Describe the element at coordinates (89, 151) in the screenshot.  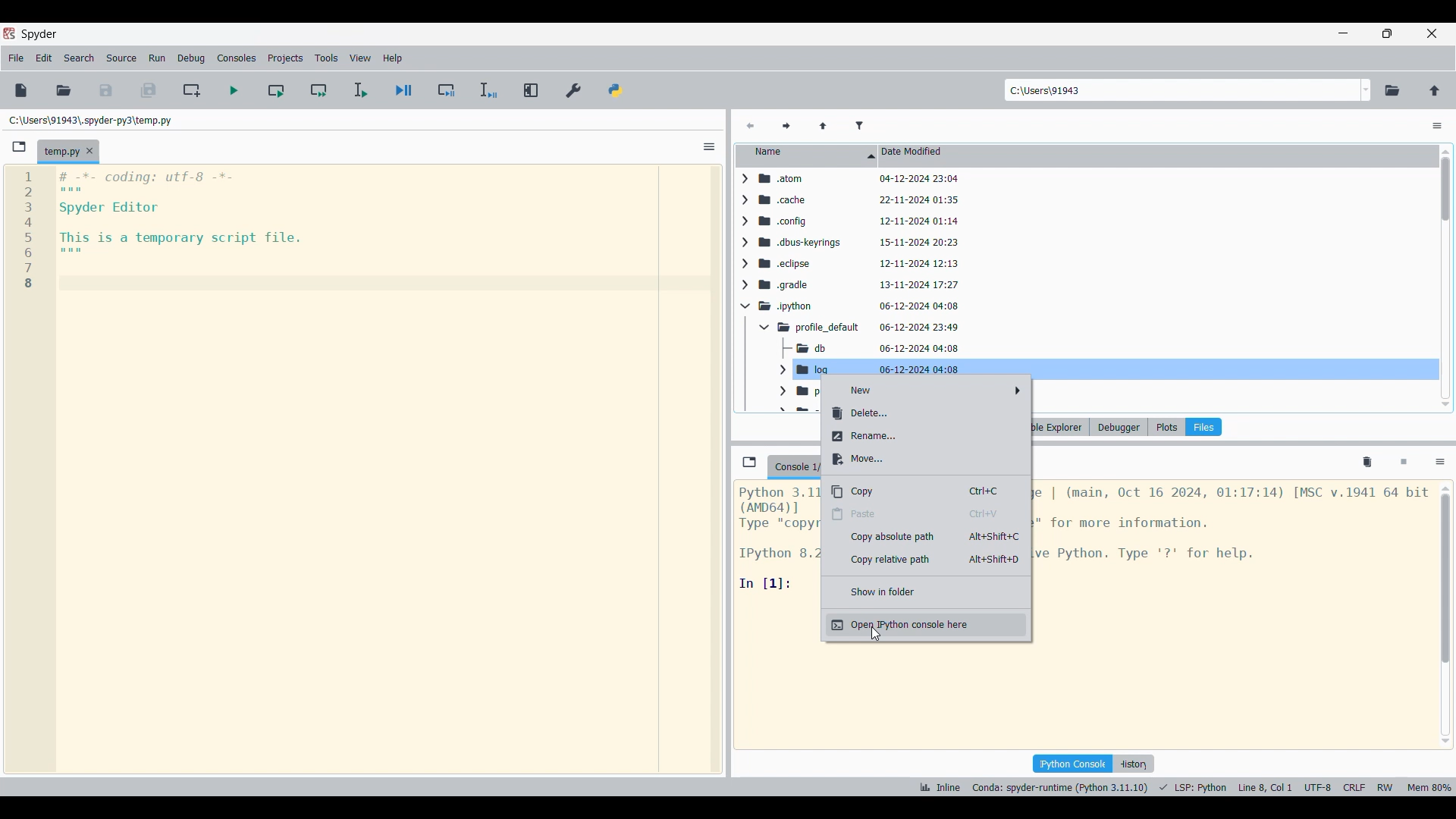
I see `Close tab` at that location.